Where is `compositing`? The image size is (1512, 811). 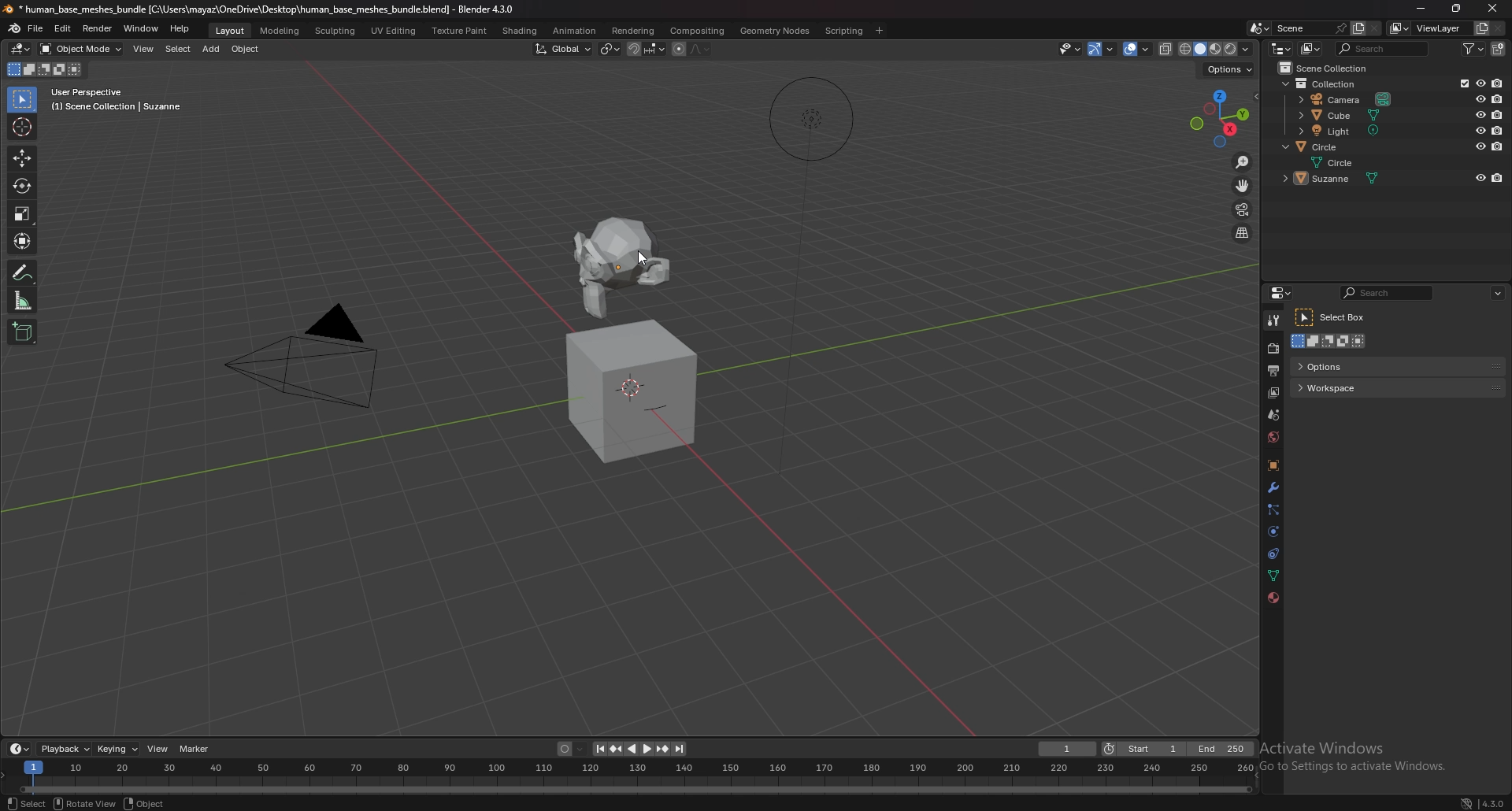
compositing is located at coordinates (699, 30).